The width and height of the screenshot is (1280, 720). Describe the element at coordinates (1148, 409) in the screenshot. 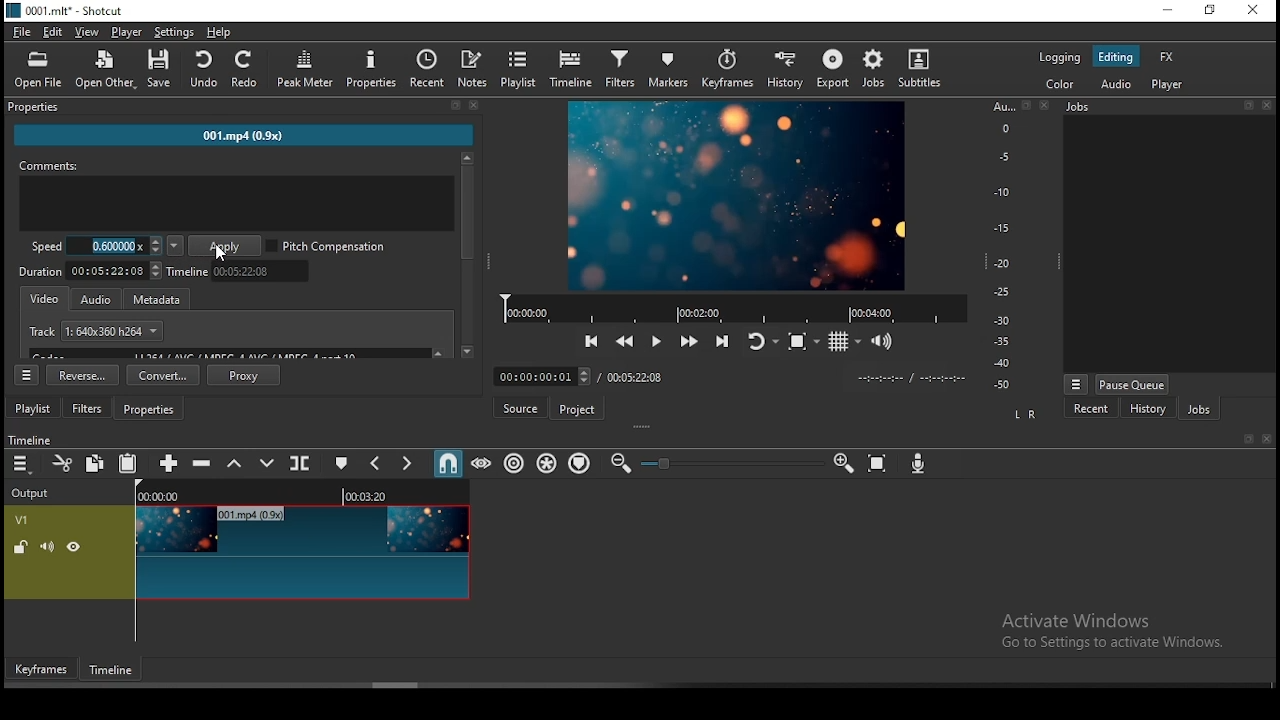

I see `history` at that location.